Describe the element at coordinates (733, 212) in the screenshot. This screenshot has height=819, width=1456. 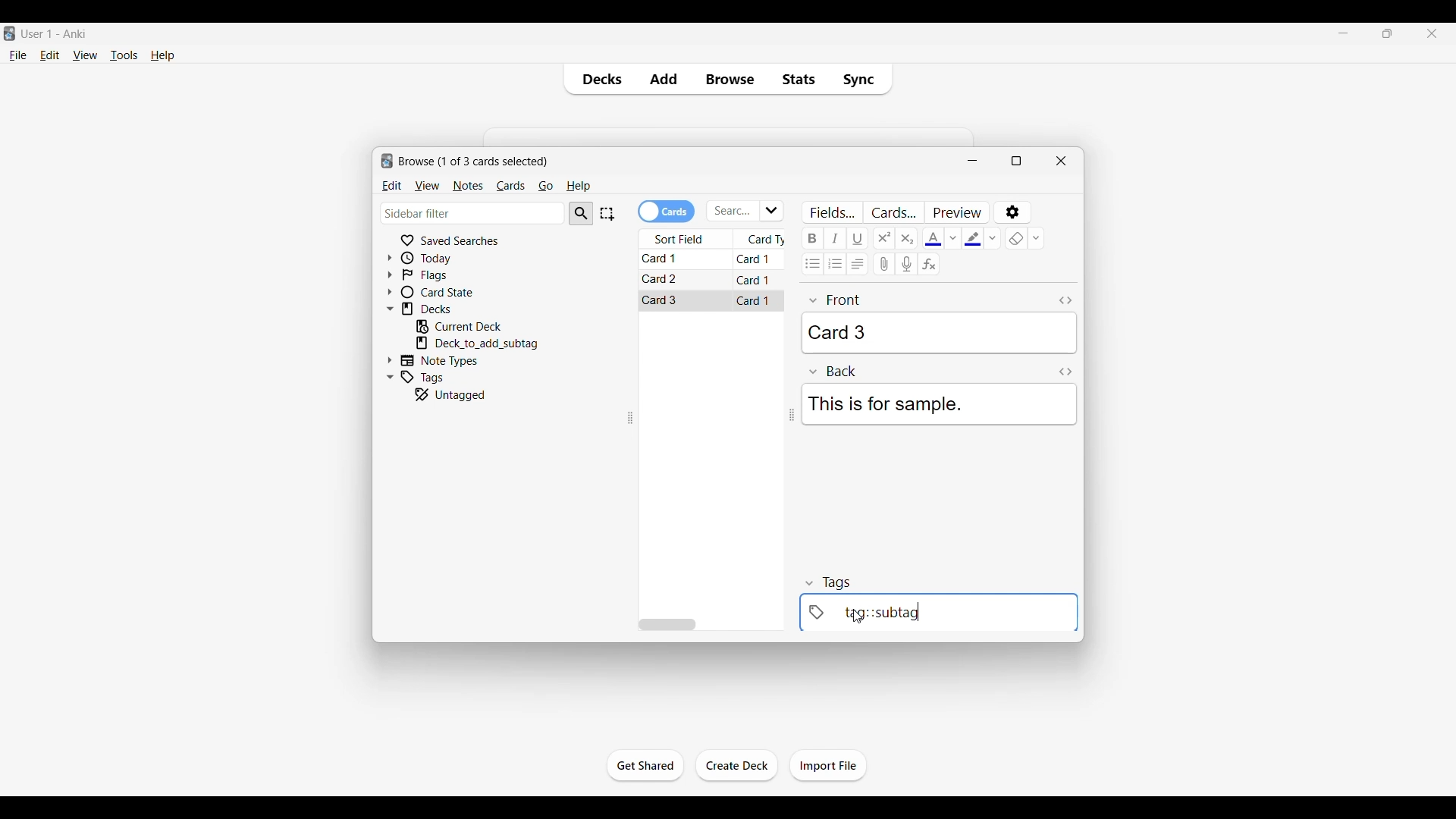
I see `Click to type in search` at that location.